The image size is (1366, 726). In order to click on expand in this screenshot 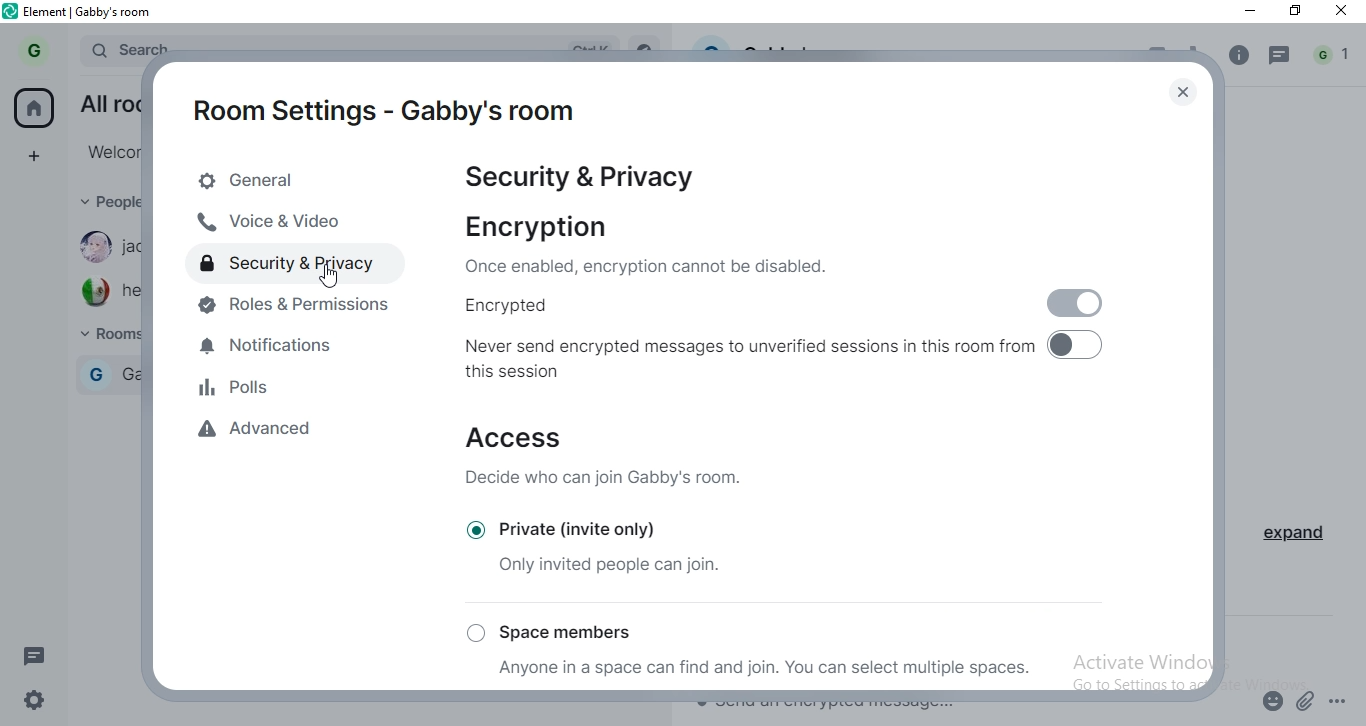, I will do `click(1290, 536)`.